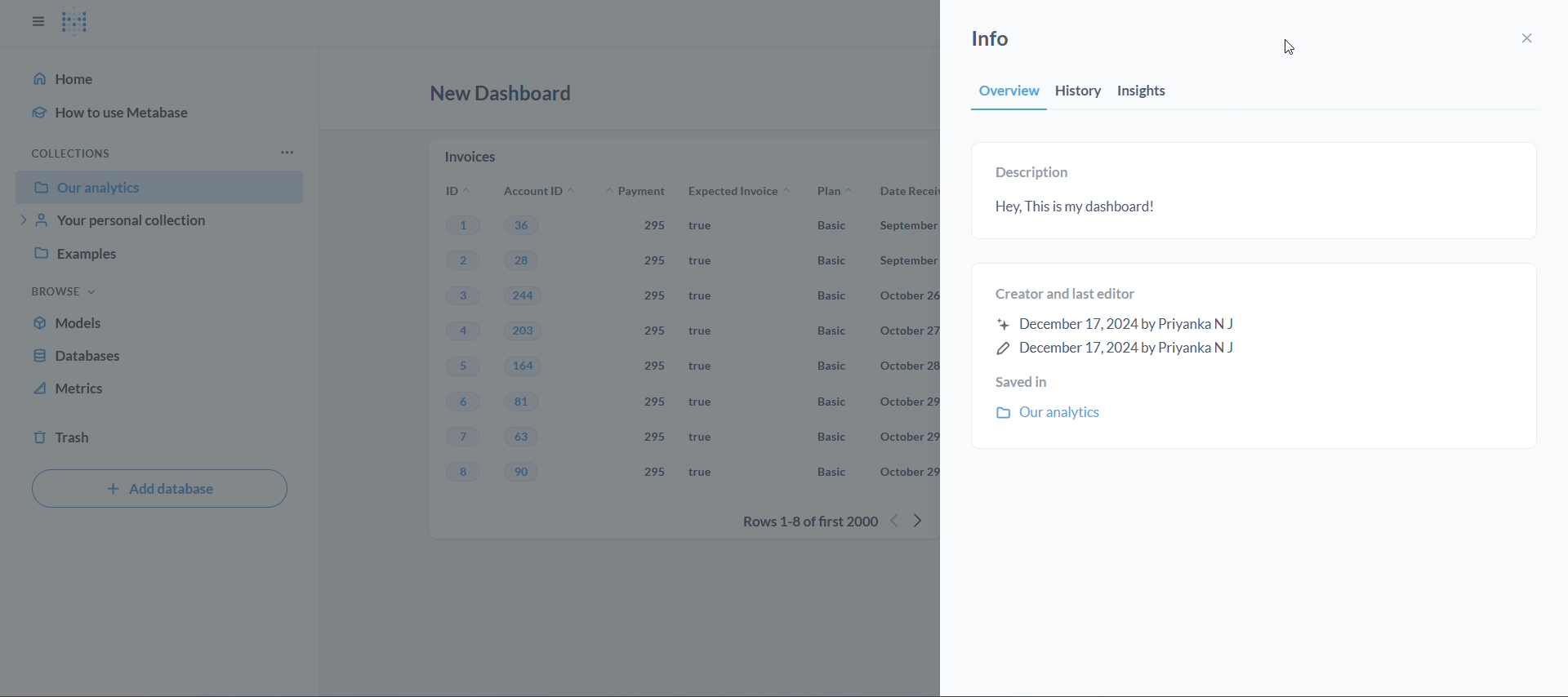 The height and width of the screenshot is (697, 1568). What do you see at coordinates (1294, 51) in the screenshot?
I see `cursor` at bounding box center [1294, 51].